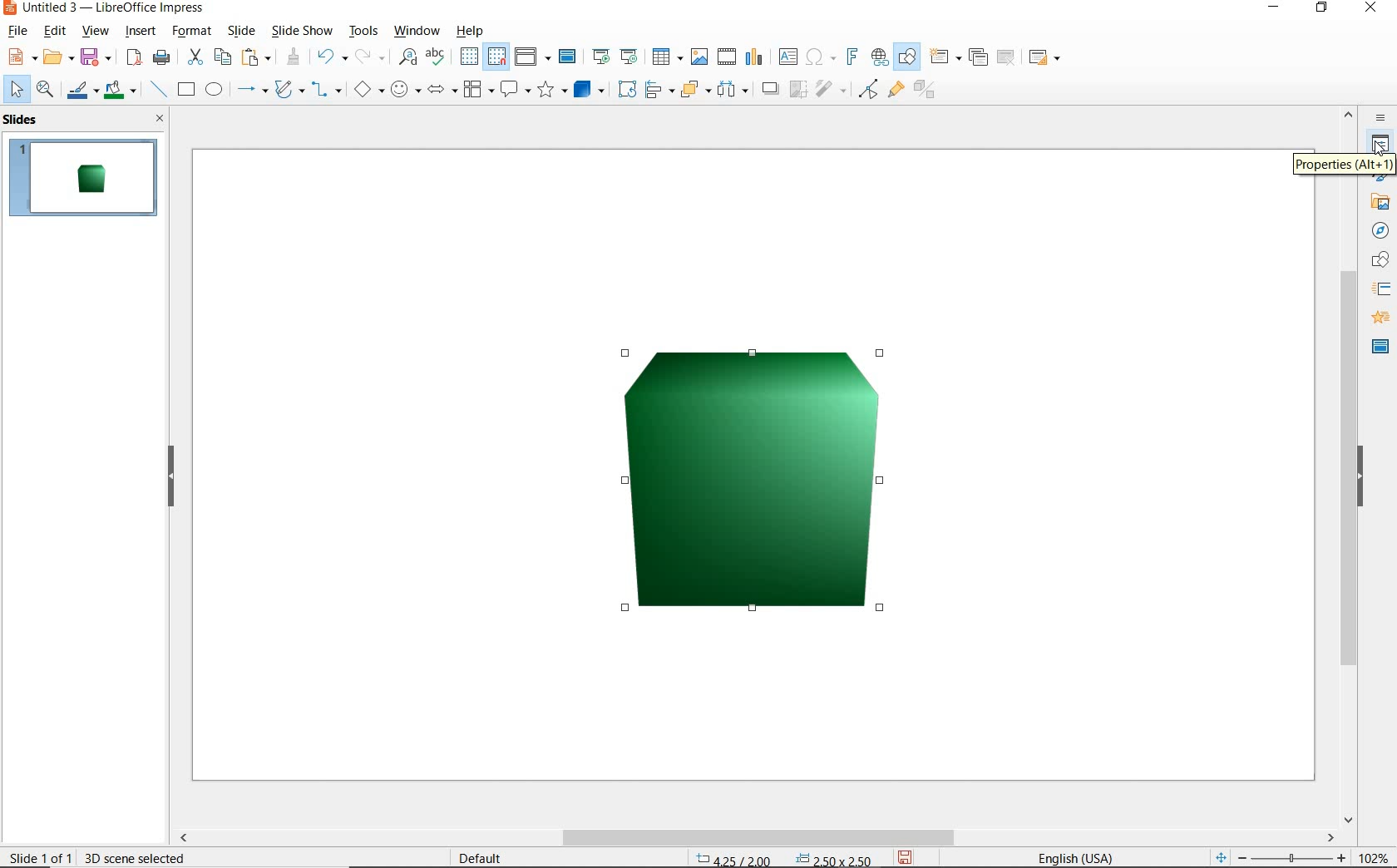  I want to click on CLOSE, so click(1373, 9).